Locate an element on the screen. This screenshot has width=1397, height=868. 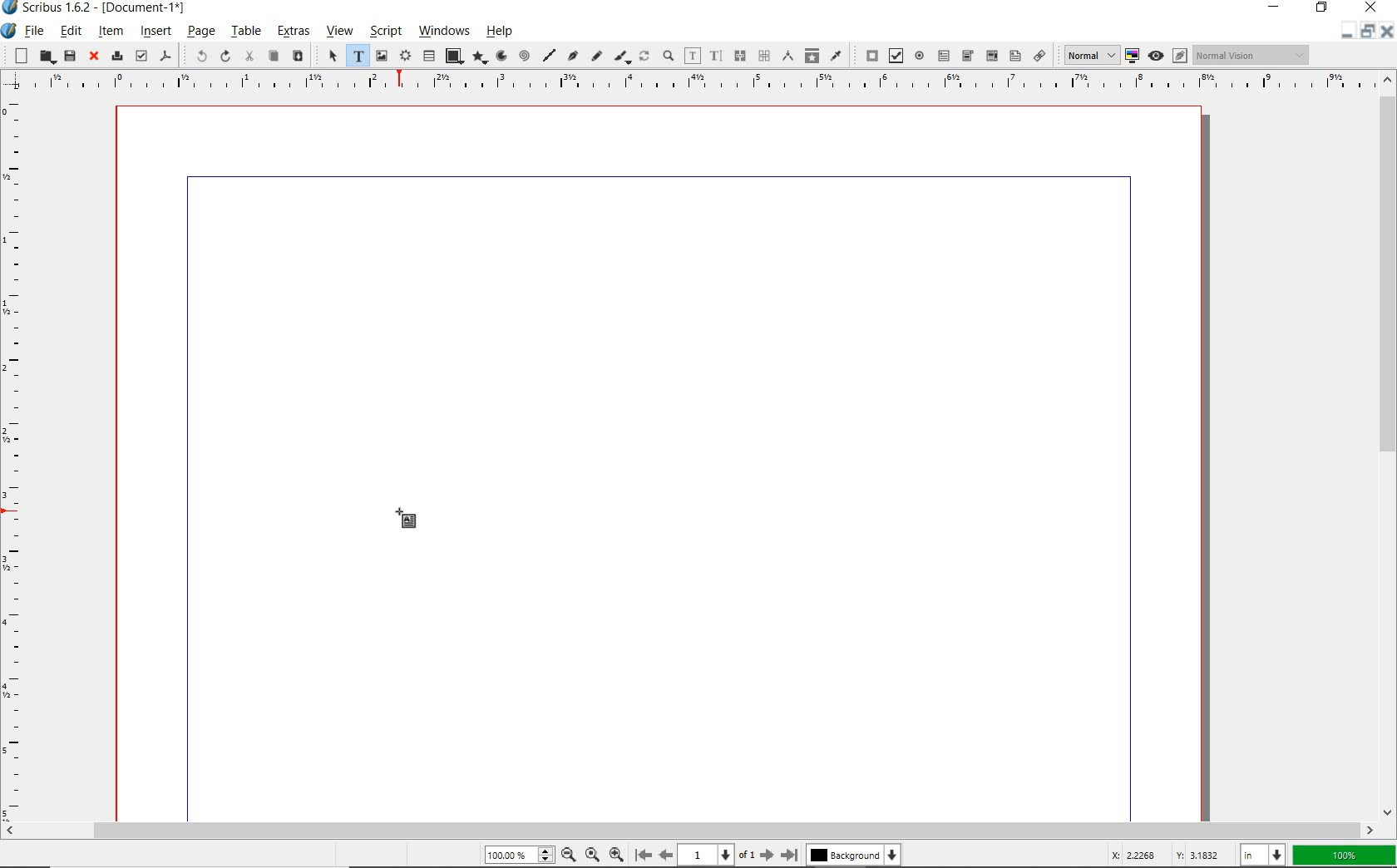
100% is located at coordinates (1345, 856).